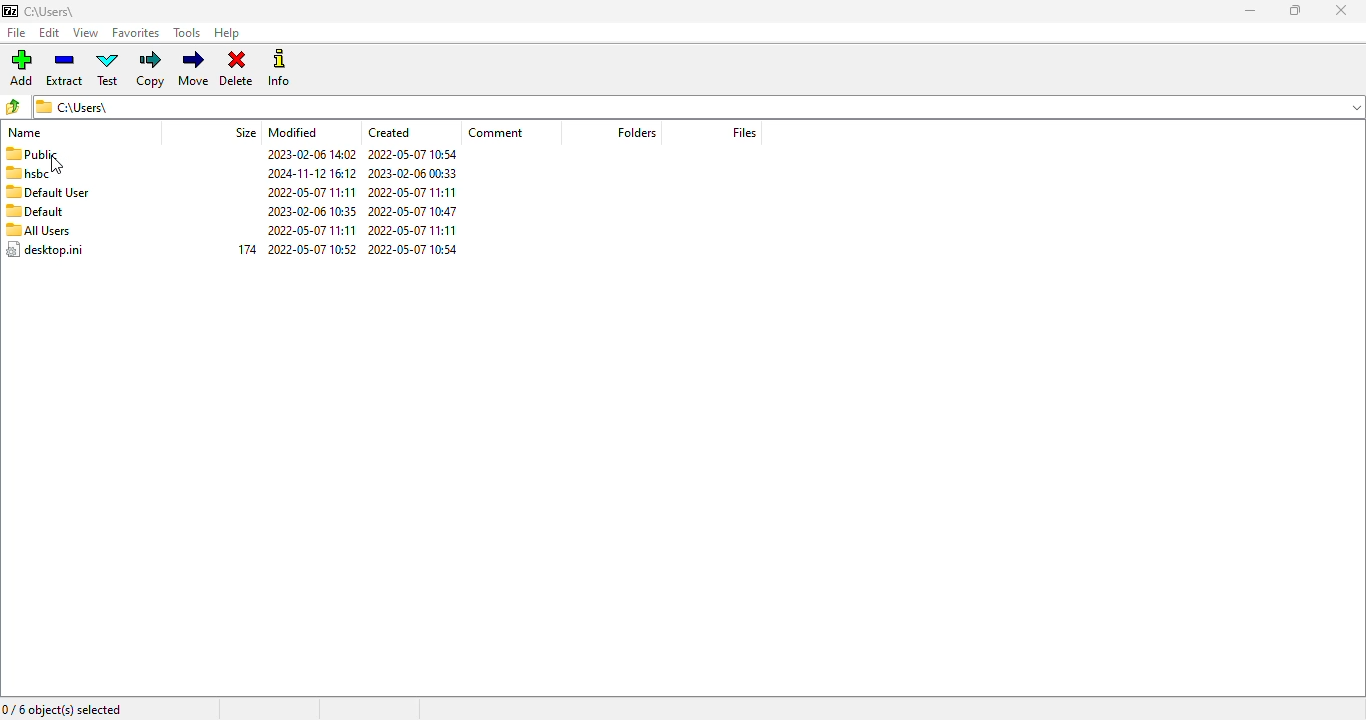 This screenshot has height=720, width=1366. What do you see at coordinates (496, 134) in the screenshot?
I see `comment` at bounding box center [496, 134].